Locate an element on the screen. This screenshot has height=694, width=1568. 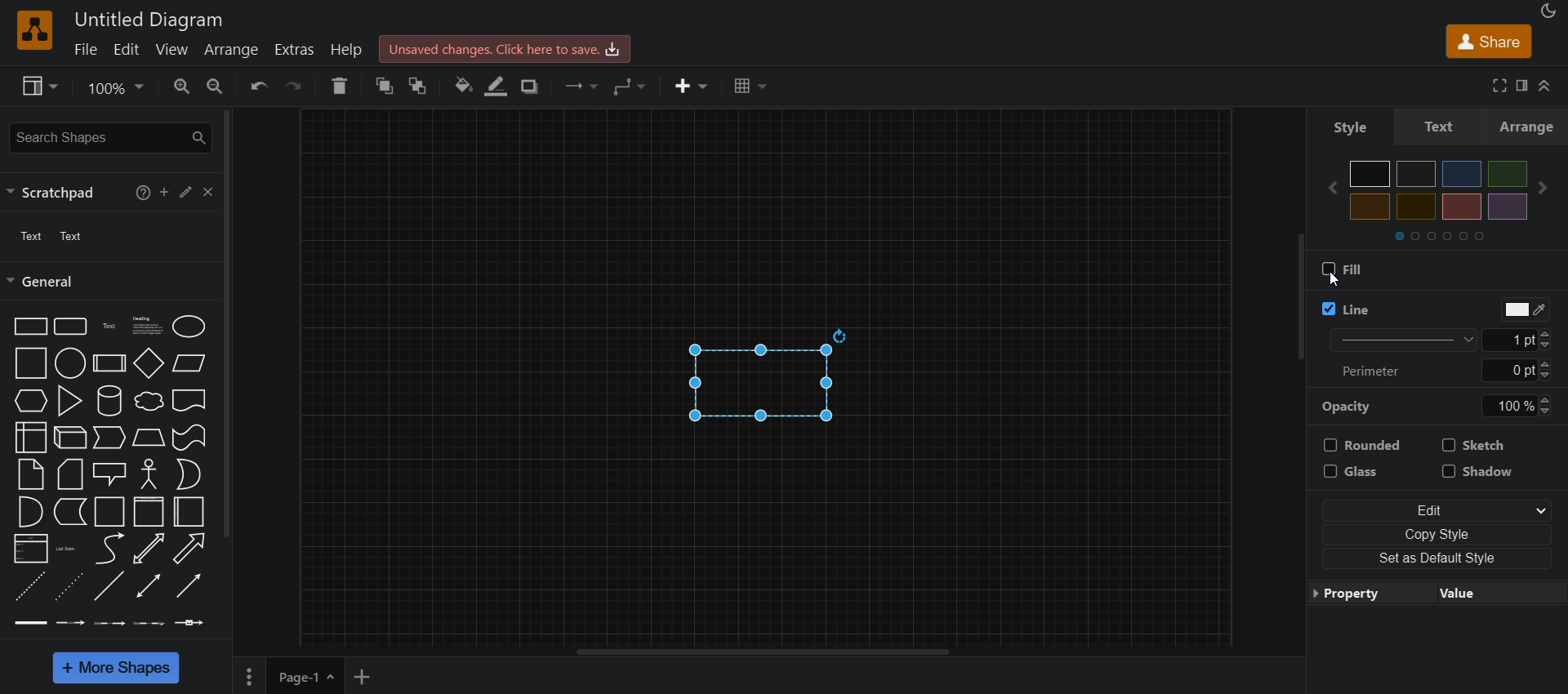
arrange is located at coordinates (231, 51).